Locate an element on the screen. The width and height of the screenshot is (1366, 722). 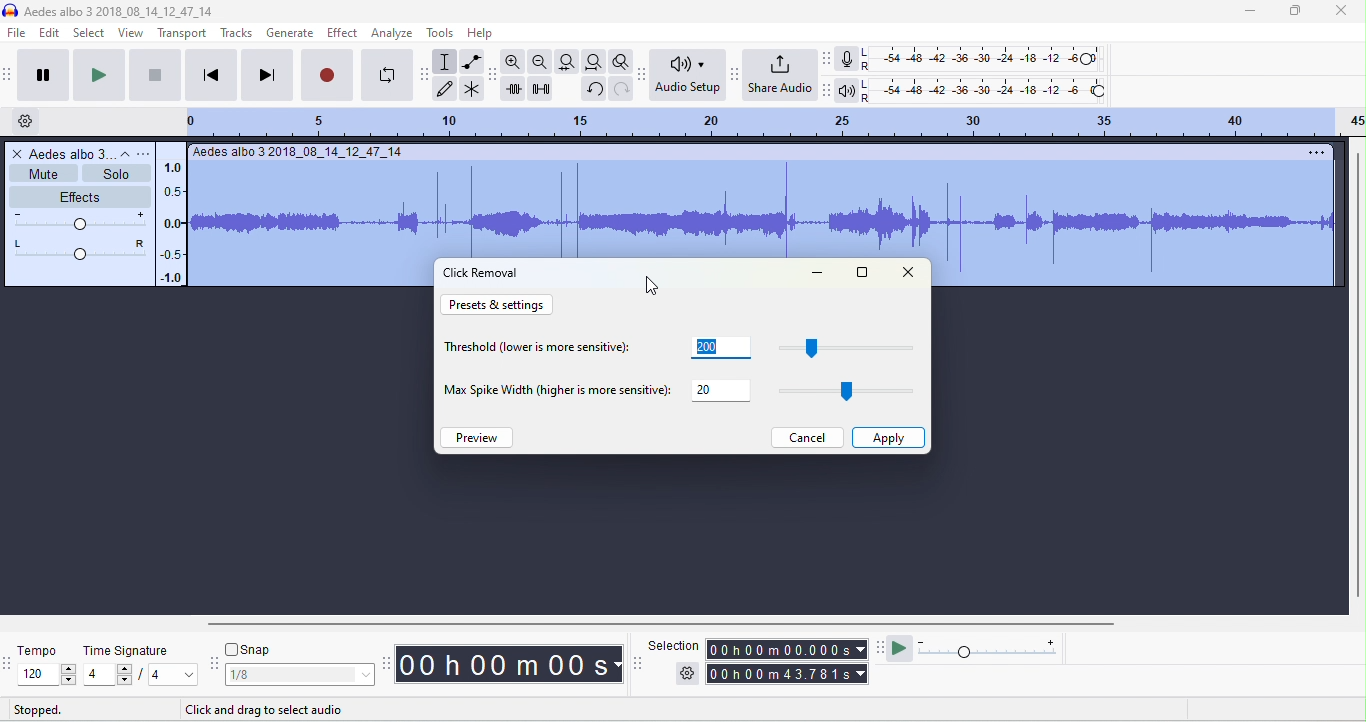
200 is located at coordinates (721, 342).